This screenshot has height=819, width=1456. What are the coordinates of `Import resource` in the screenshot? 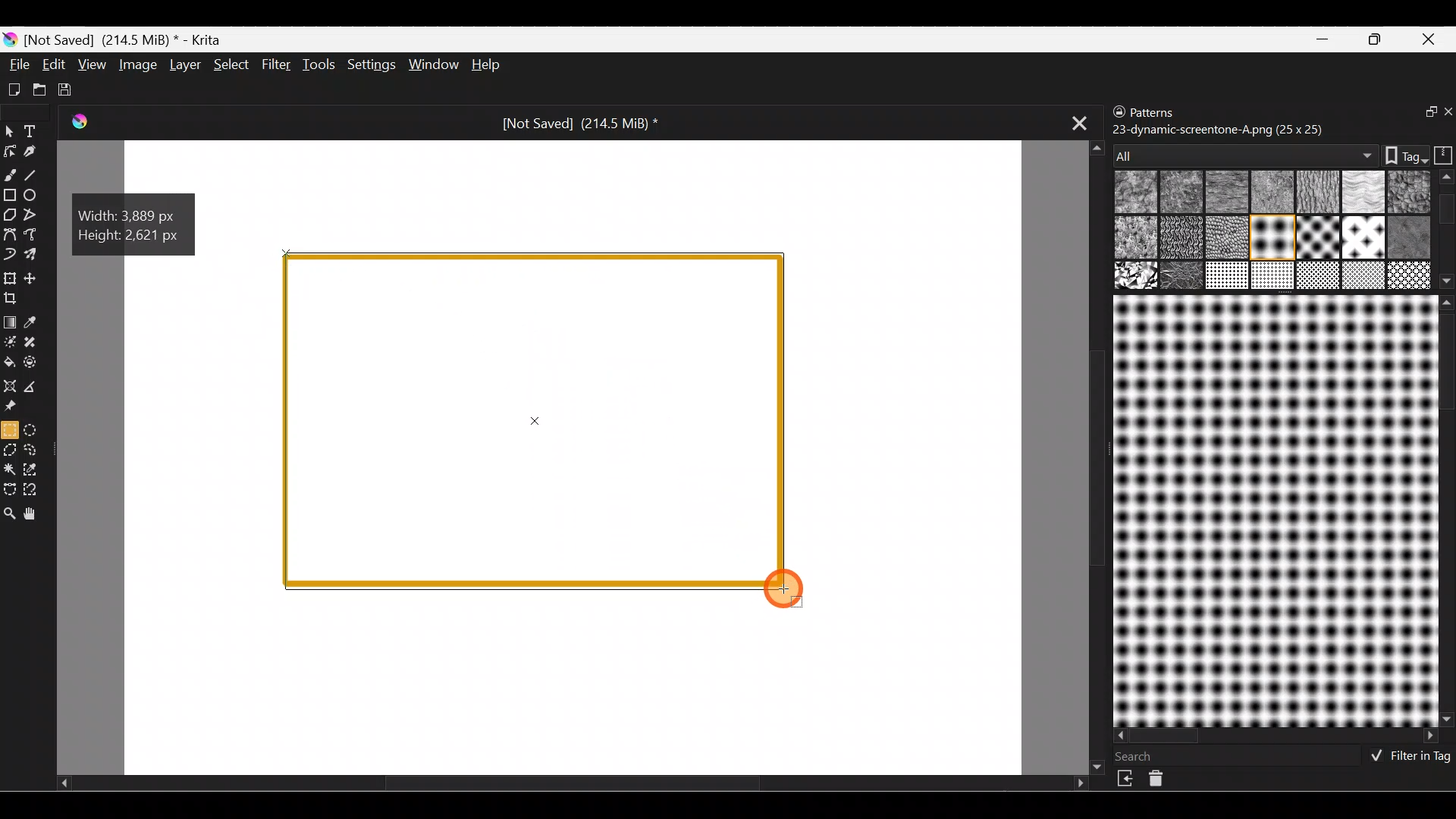 It's located at (1127, 779).